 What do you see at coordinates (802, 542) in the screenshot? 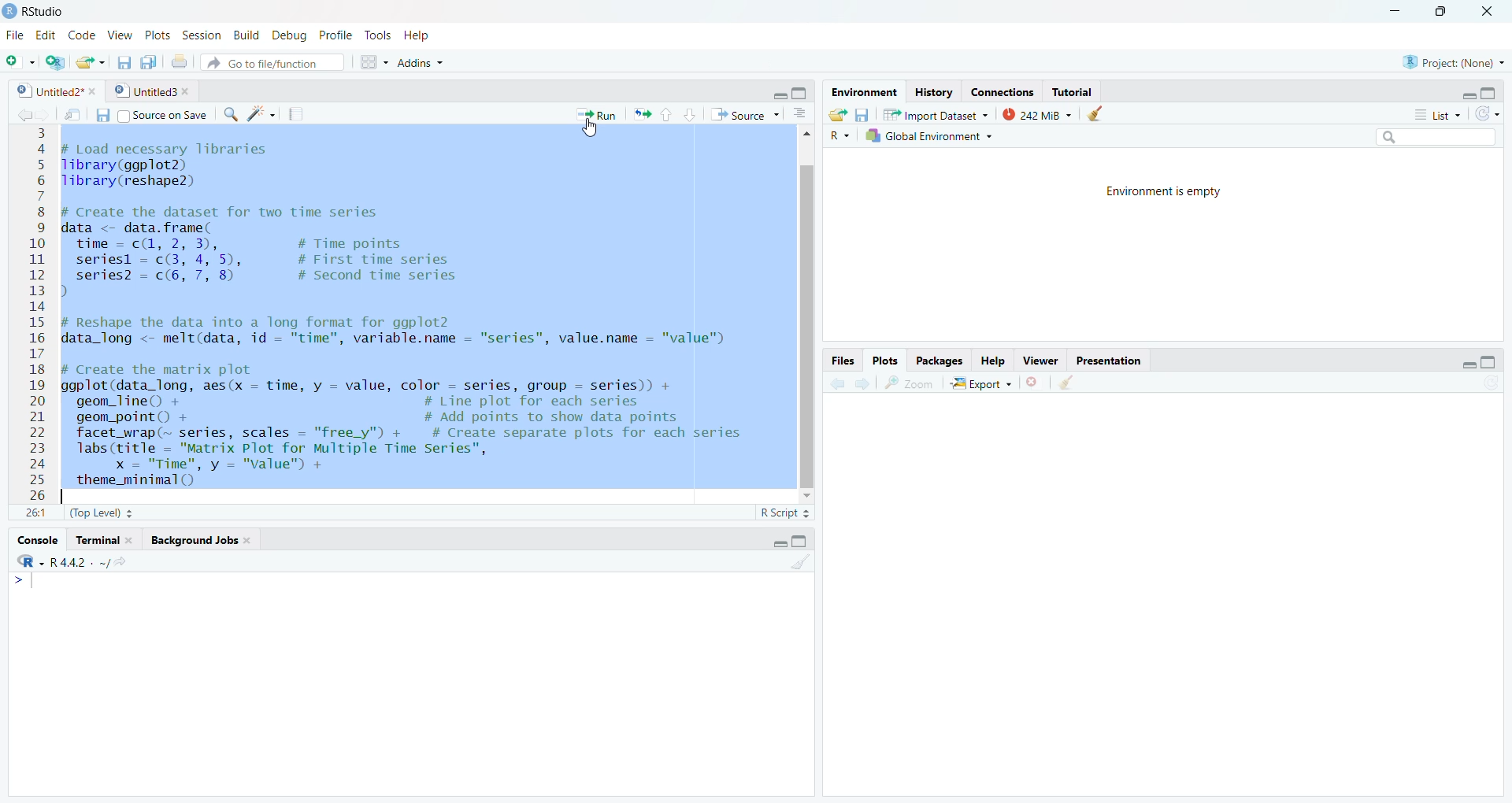
I see `Maximize` at bounding box center [802, 542].